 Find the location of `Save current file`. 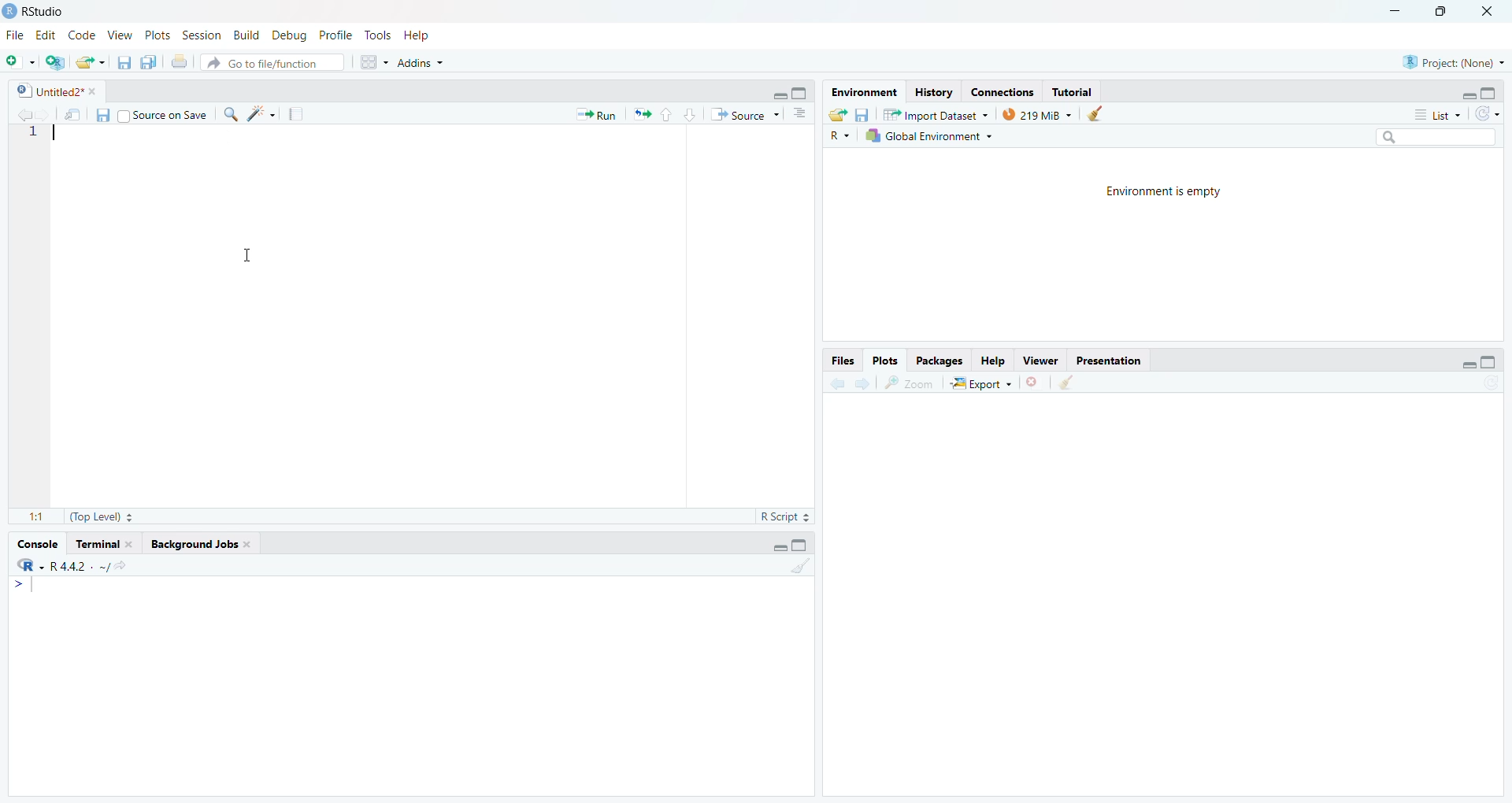

Save current file is located at coordinates (125, 62).